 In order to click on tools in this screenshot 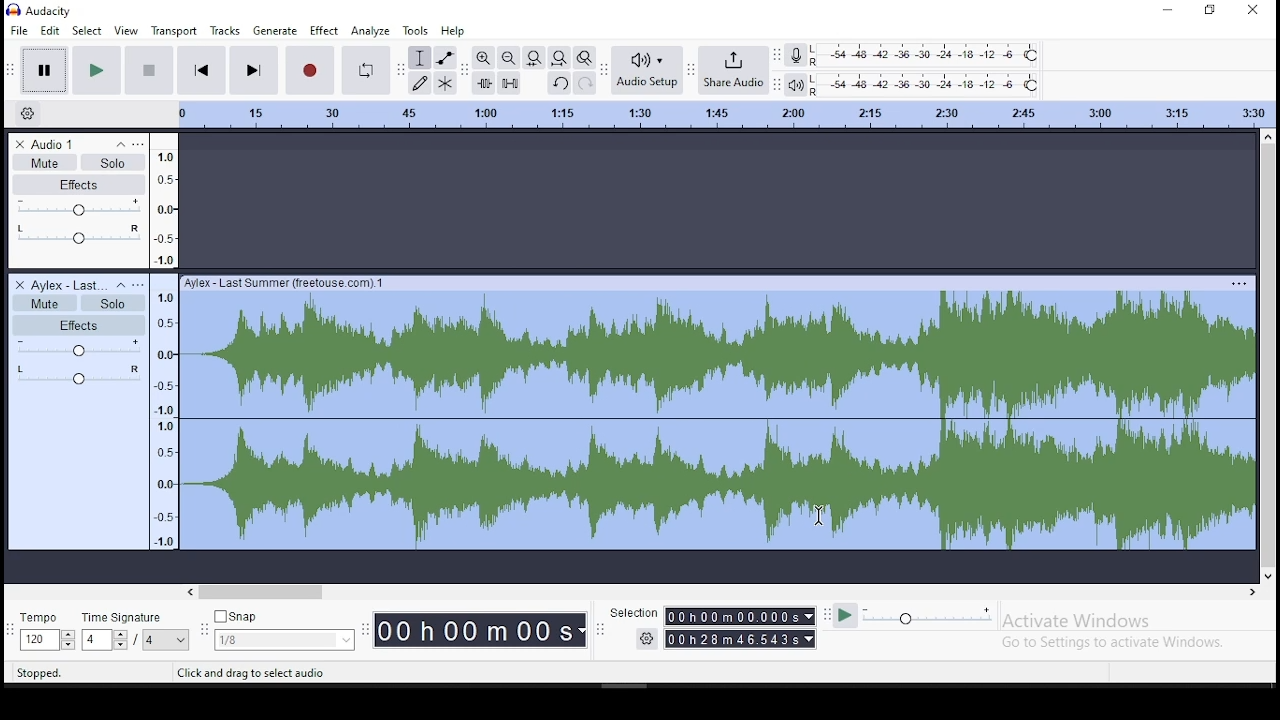, I will do `click(418, 30)`.